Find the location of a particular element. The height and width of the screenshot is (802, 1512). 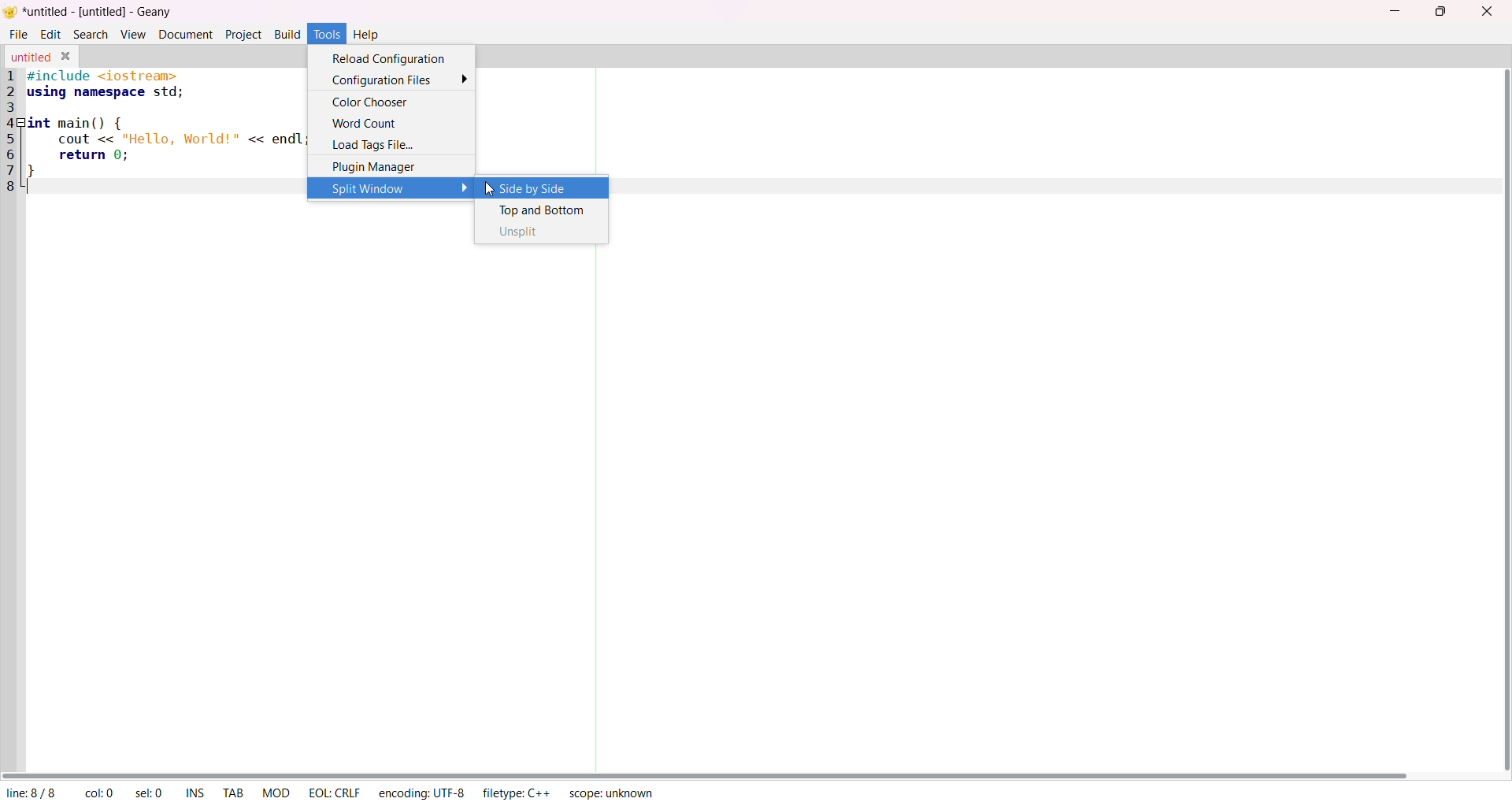

Word Count is located at coordinates (364, 123).